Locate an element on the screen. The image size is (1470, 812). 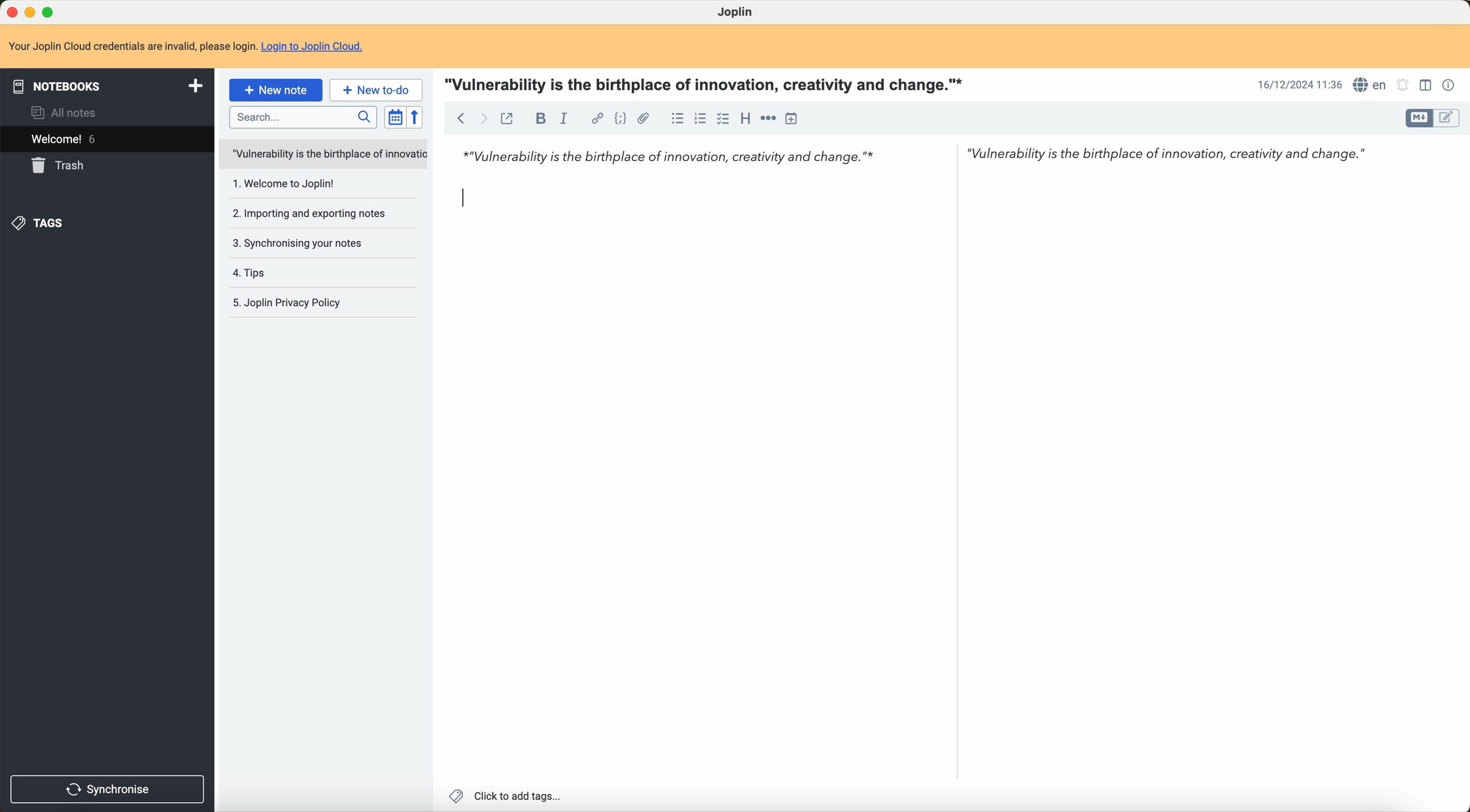
new to-do is located at coordinates (377, 90).